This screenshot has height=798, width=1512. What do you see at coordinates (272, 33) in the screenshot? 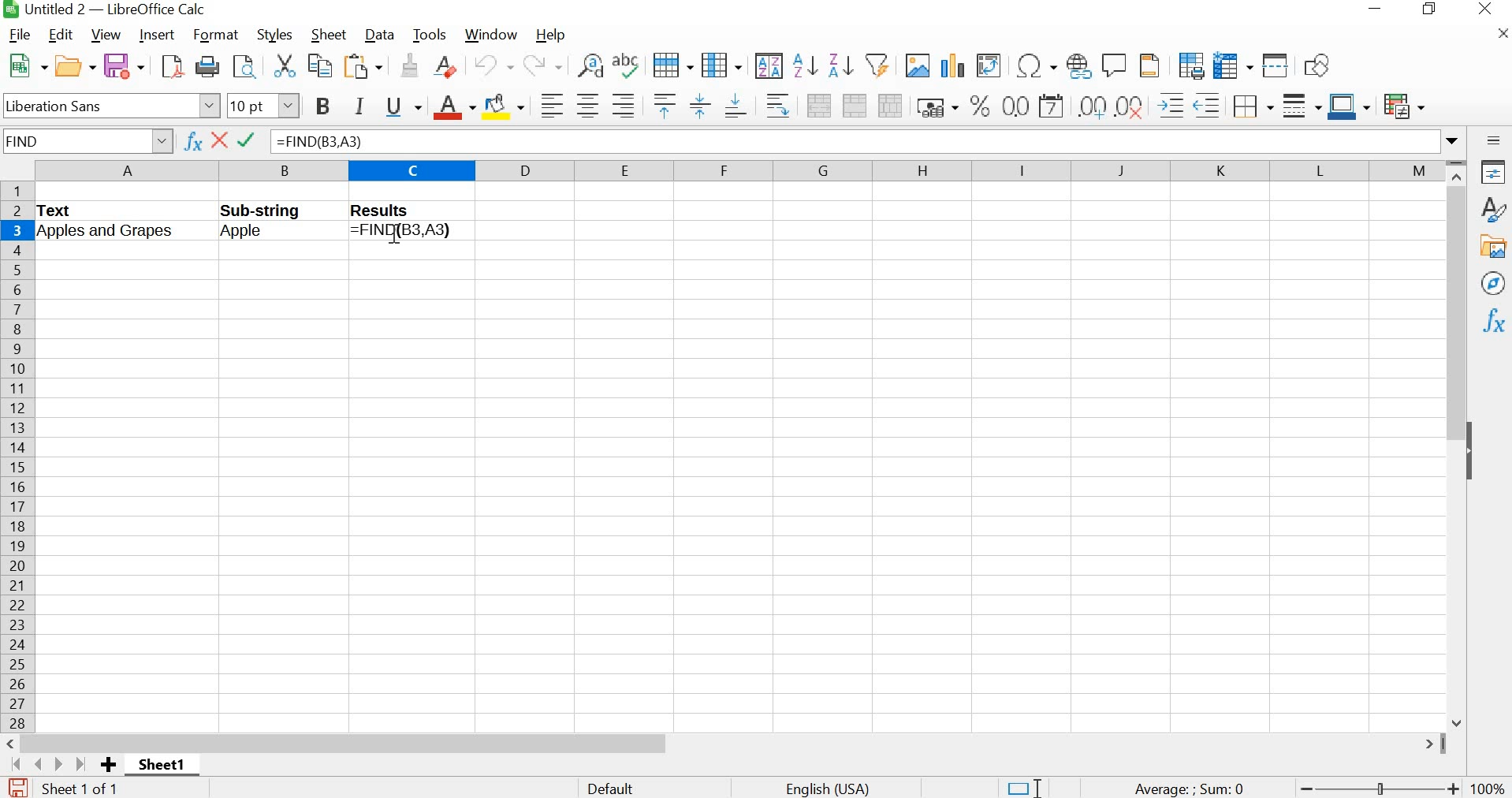
I see `styles` at bounding box center [272, 33].